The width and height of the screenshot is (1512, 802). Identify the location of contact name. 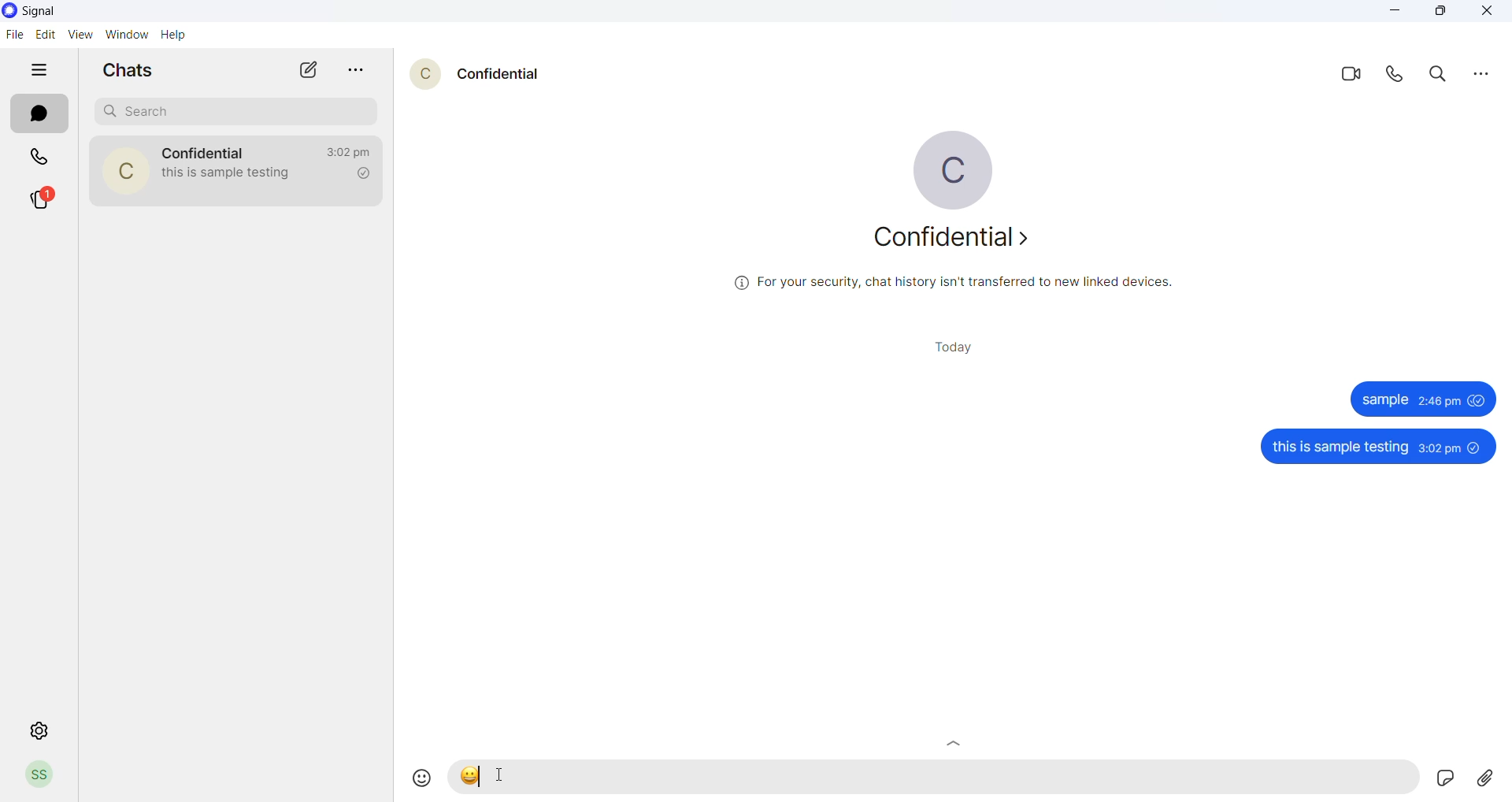
(502, 74).